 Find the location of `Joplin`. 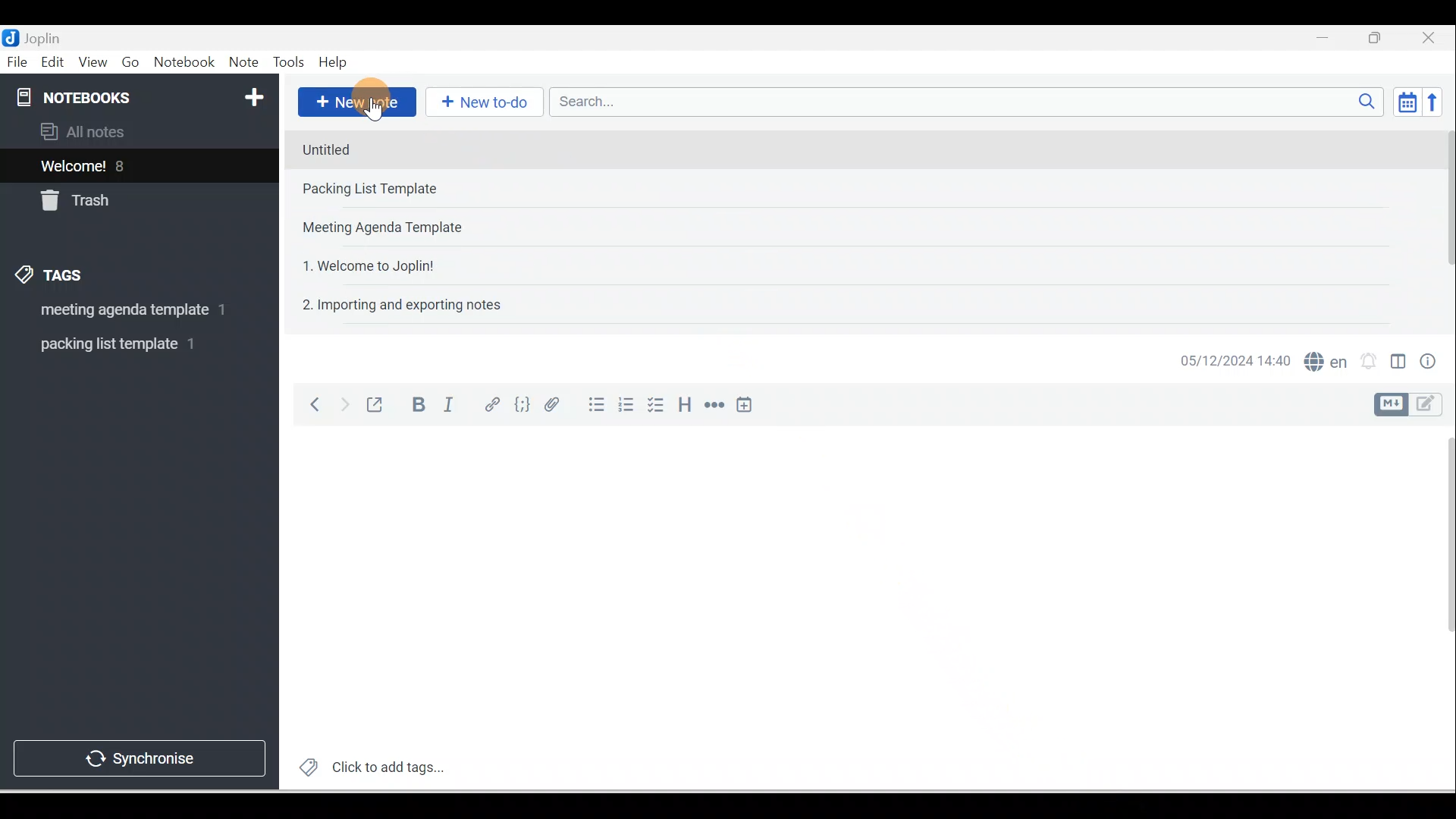

Joplin is located at coordinates (46, 36).